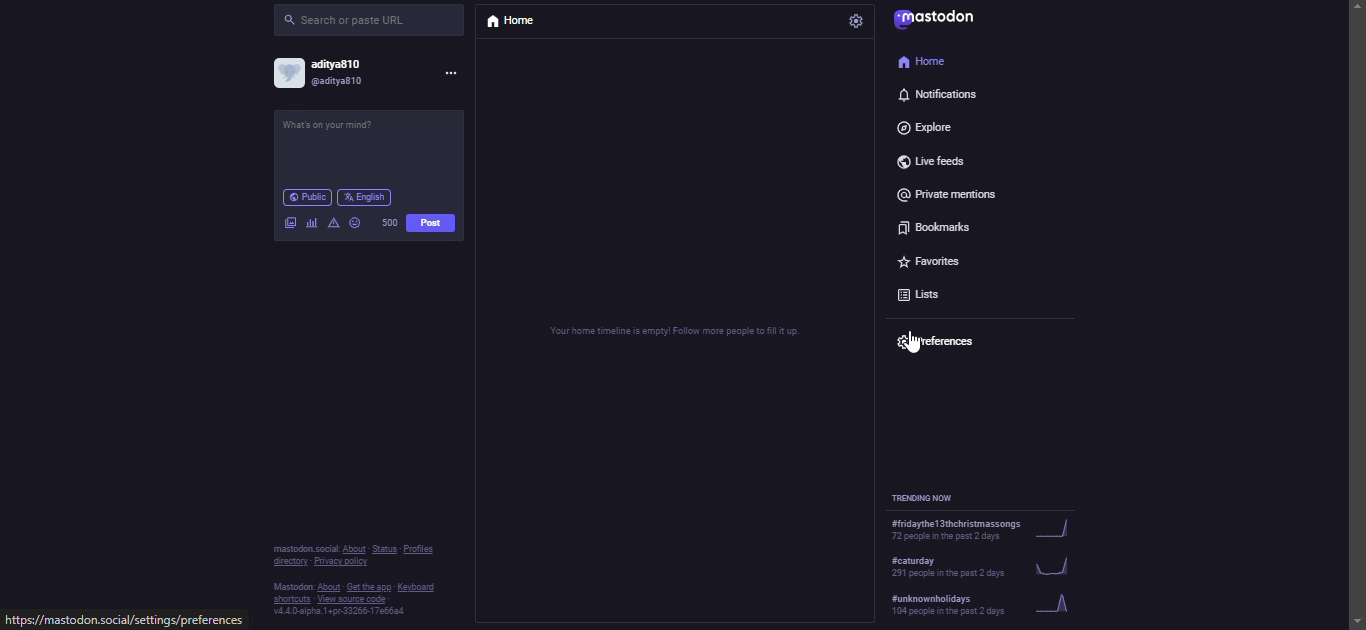 The width and height of the screenshot is (1366, 630). I want to click on post, so click(340, 130).